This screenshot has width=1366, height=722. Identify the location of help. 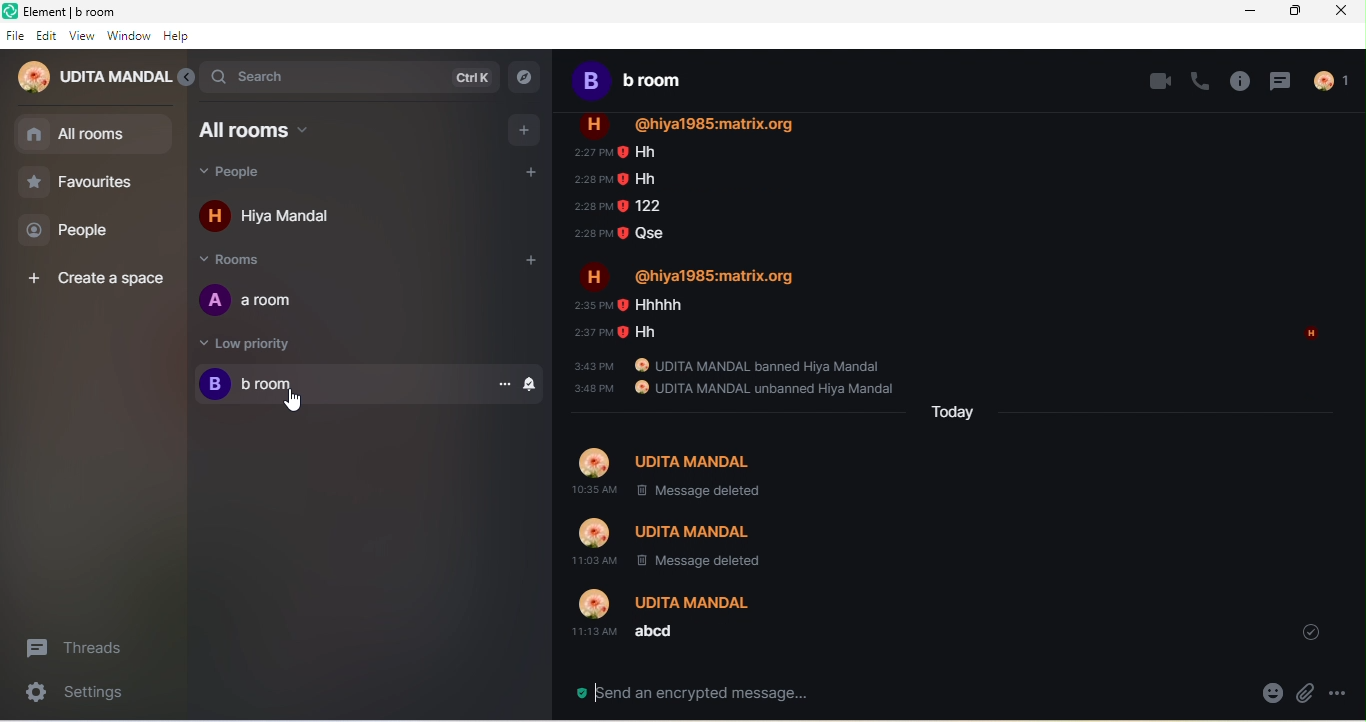
(180, 38).